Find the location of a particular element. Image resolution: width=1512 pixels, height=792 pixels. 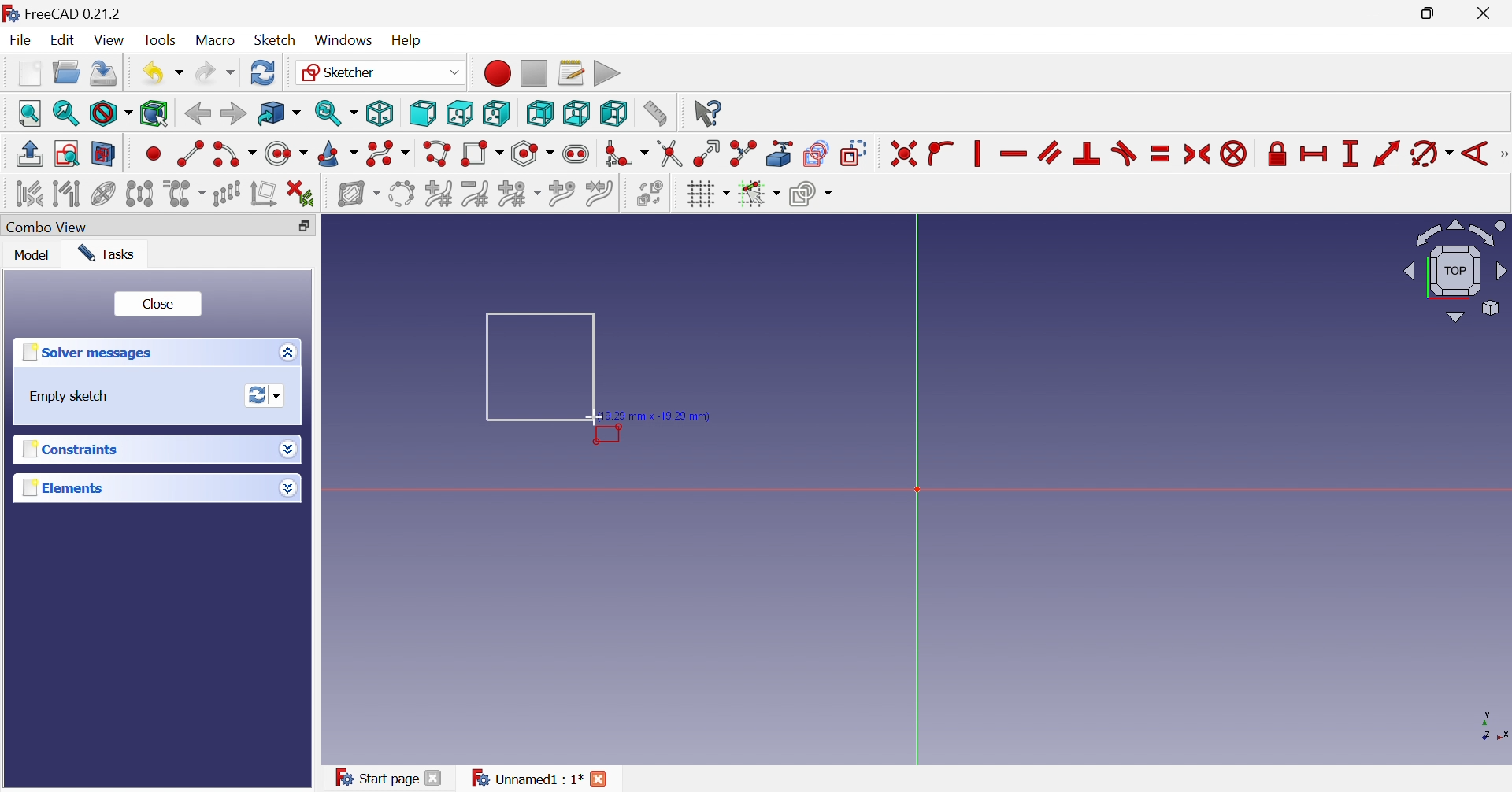

Create external geometry is located at coordinates (781, 153).